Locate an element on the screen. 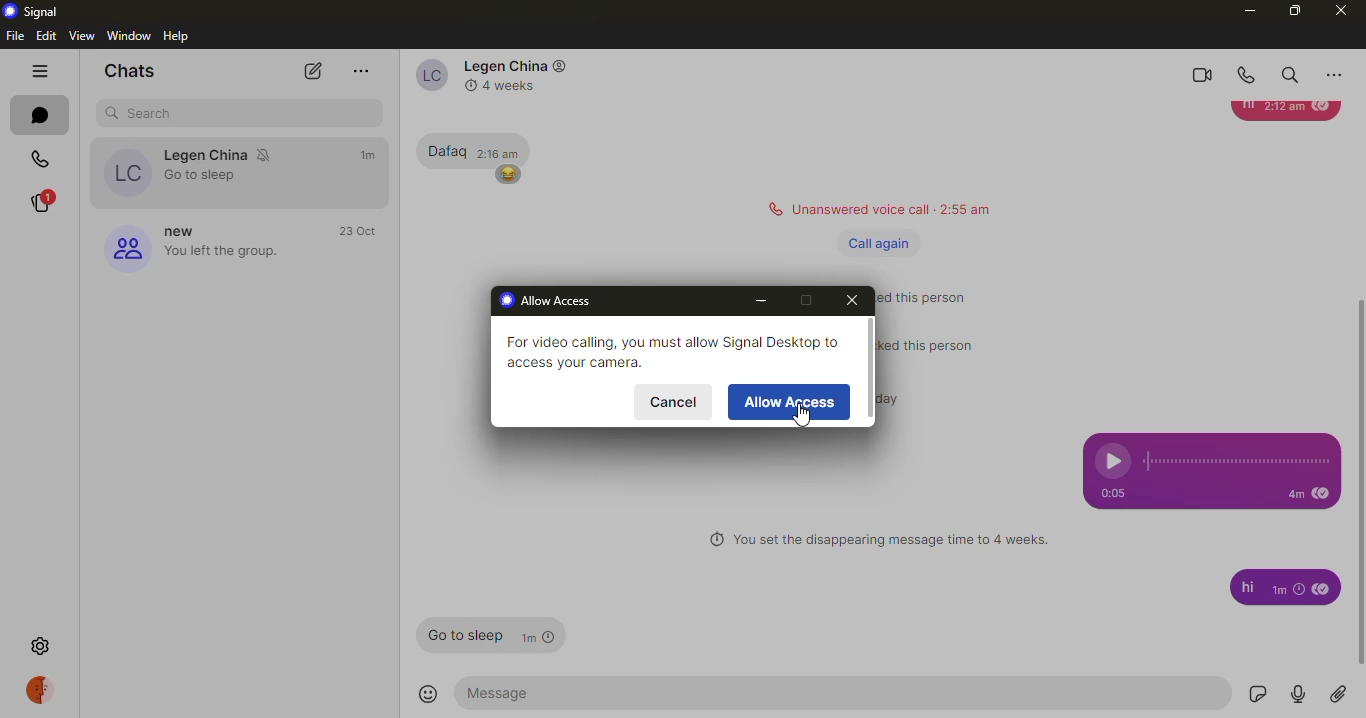  calls is located at coordinates (34, 158).